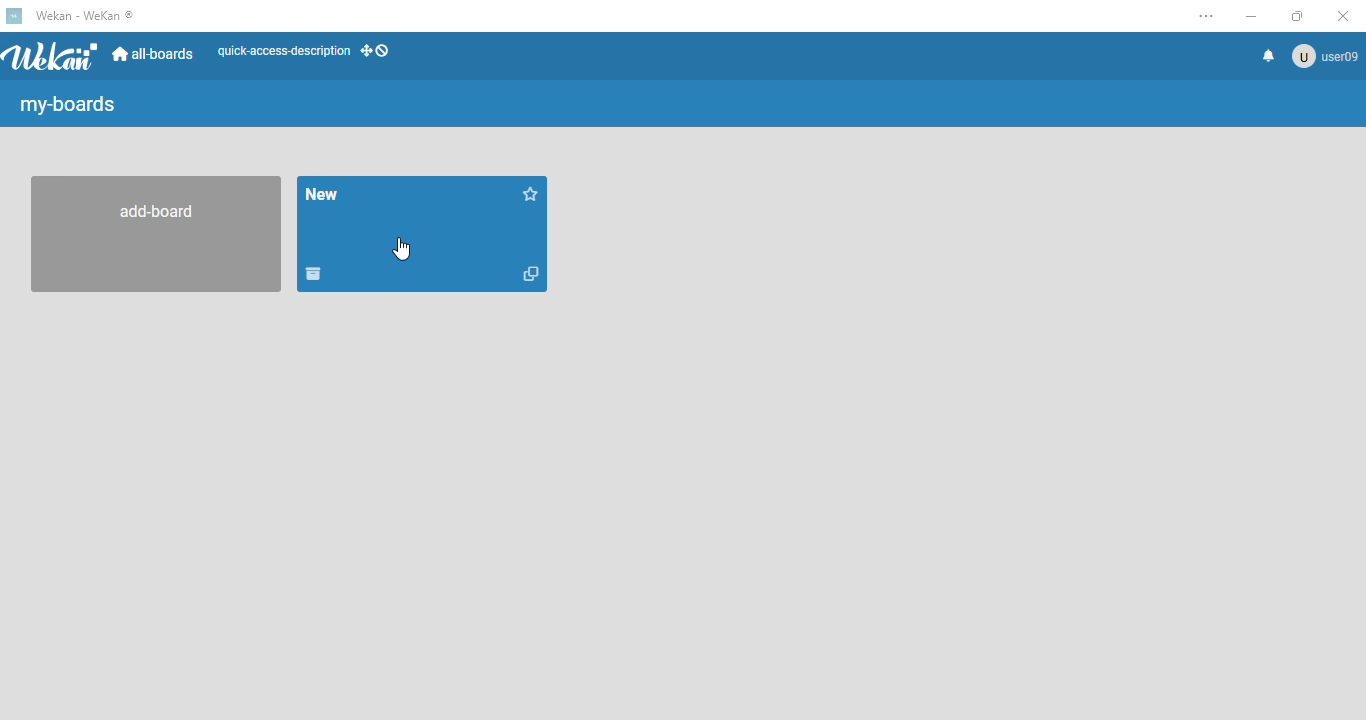 Image resolution: width=1366 pixels, height=720 pixels. Describe the element at coordinates (71, 105) in the screenshot. I see `my-boards` at that location.